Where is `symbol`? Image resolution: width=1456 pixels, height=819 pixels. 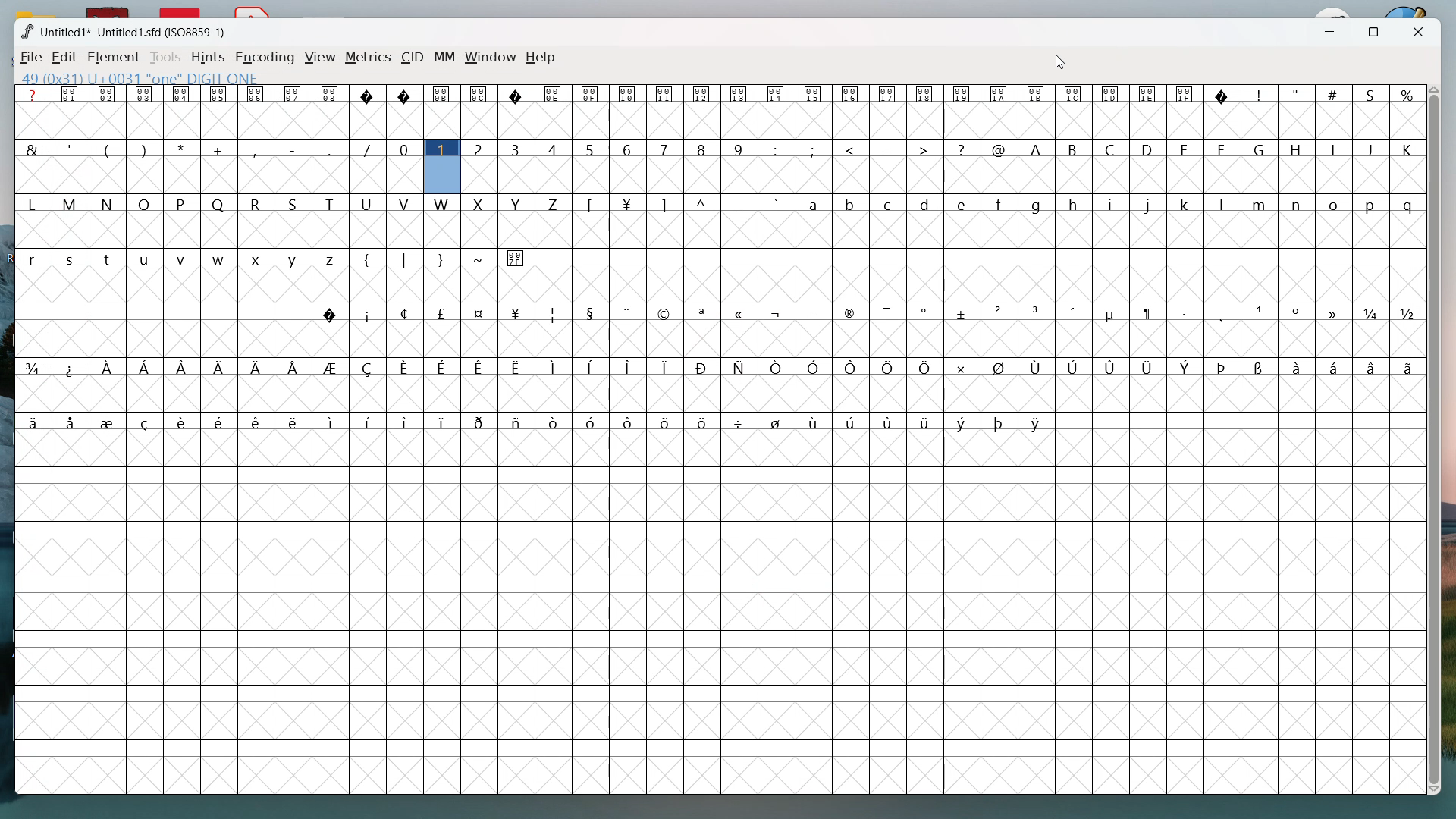 symbol is located at coordinates (371, 421).